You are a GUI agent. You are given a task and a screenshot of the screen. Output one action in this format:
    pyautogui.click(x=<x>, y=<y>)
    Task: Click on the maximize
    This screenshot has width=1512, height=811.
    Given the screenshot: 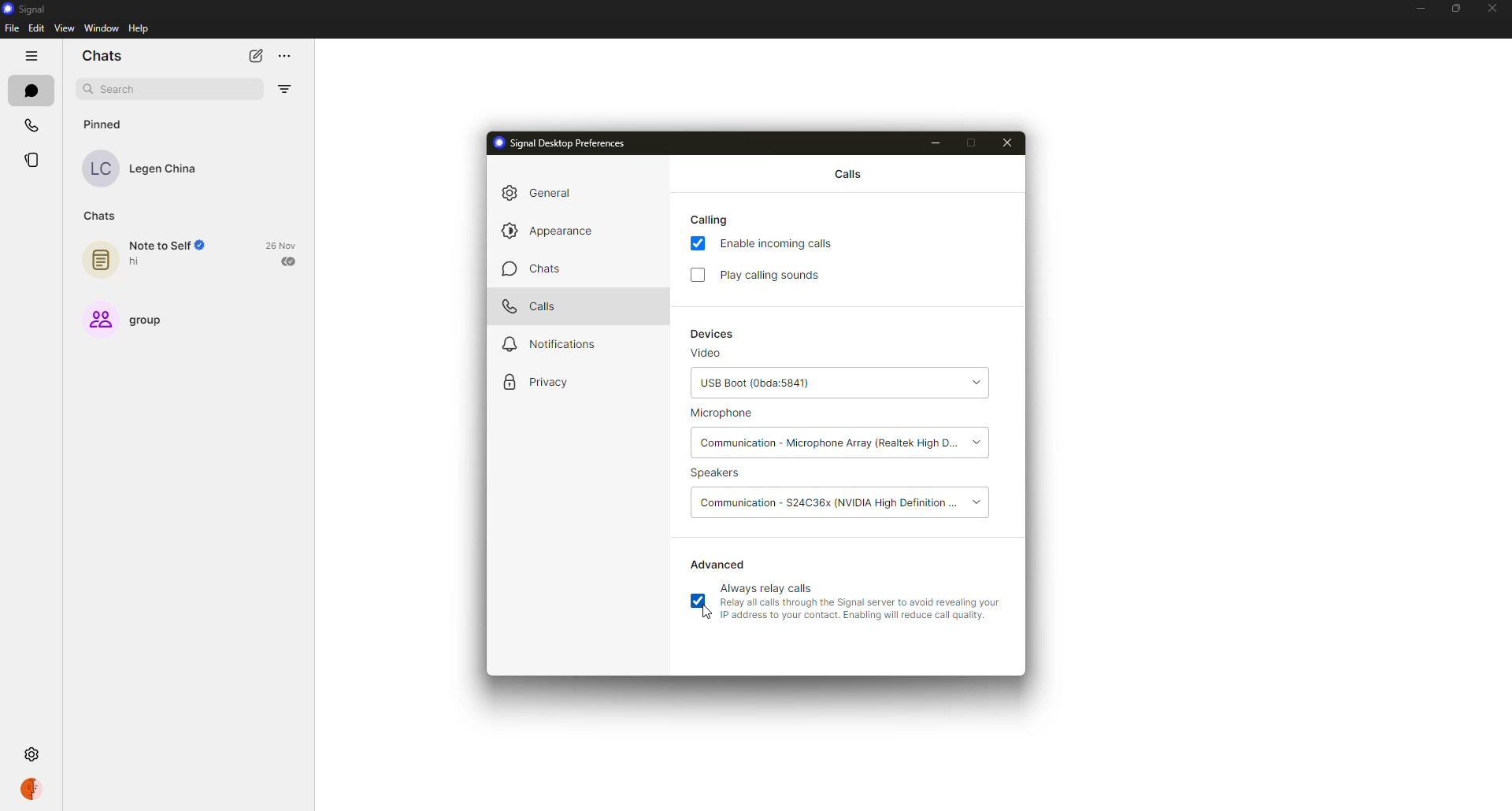 What is the action you would take?
    pyautogui.click(x=1451, y=9)
    